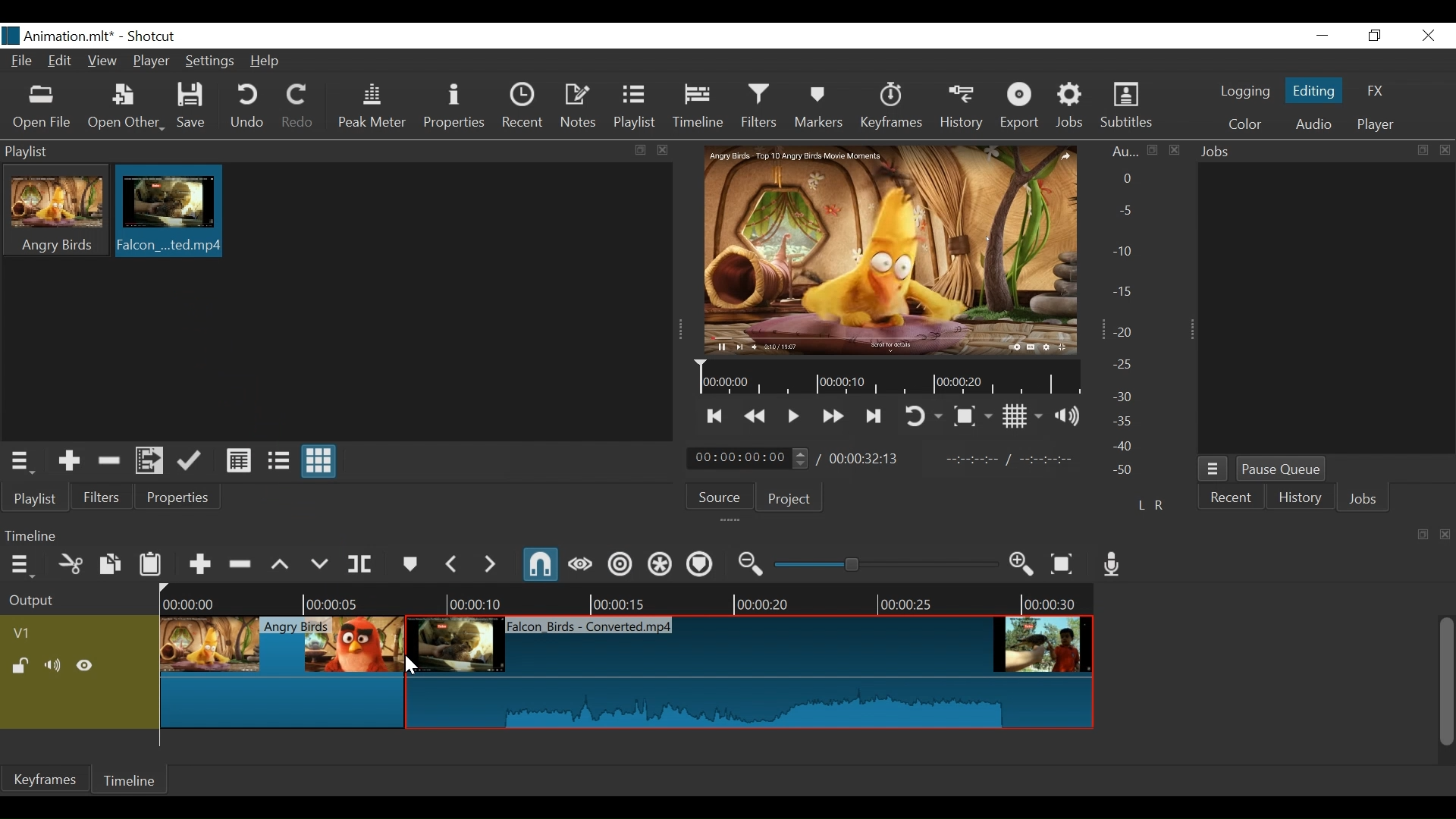  What do you see at coordinates (1375, 36) in the screenshot?
I see `Restore` at bounding box center [1375, 36].